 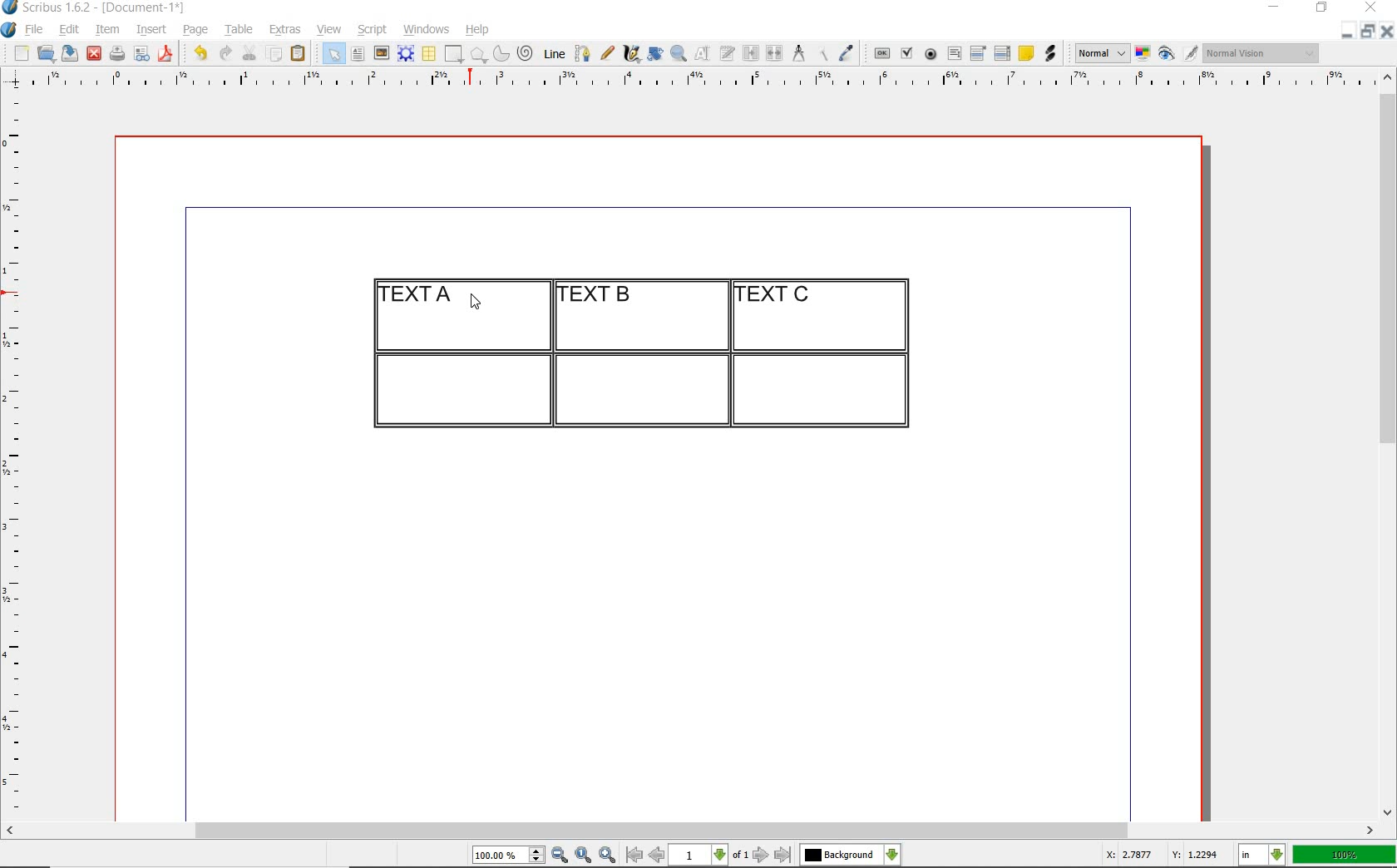 I want to click on link text frames, so click(x=752, y=55).